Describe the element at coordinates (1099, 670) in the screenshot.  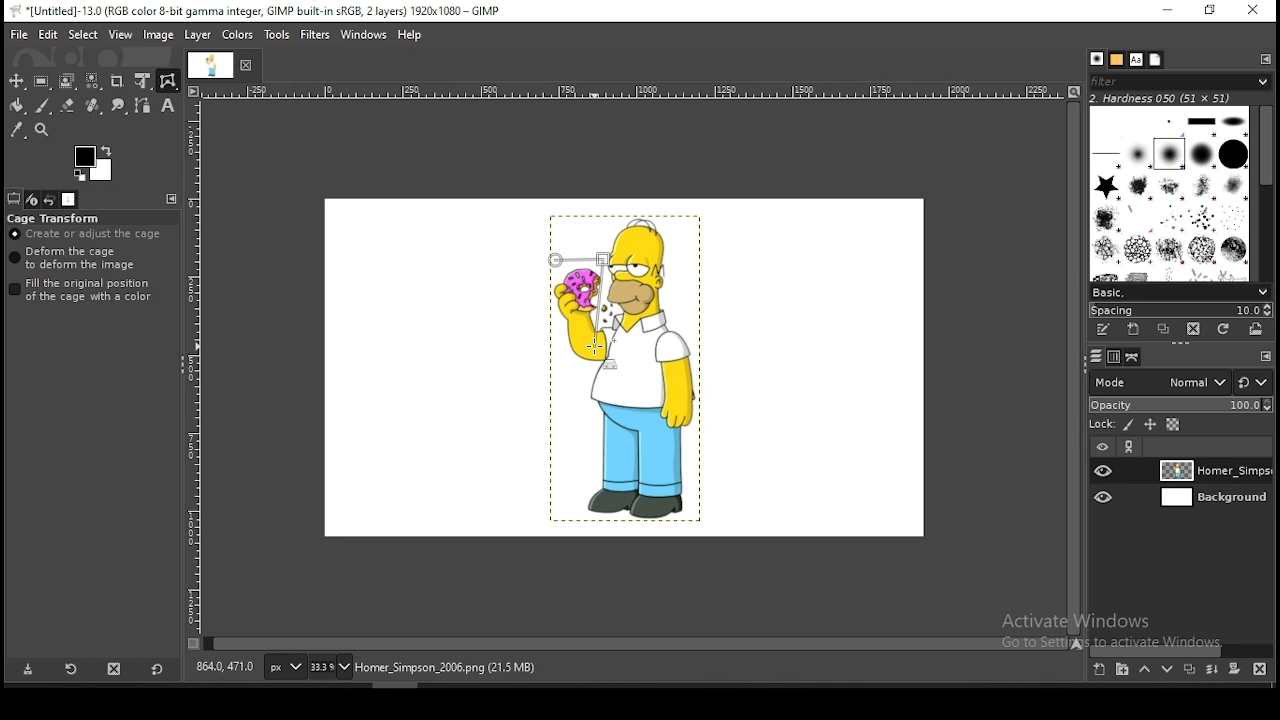
I see `create a new layer` at that location.